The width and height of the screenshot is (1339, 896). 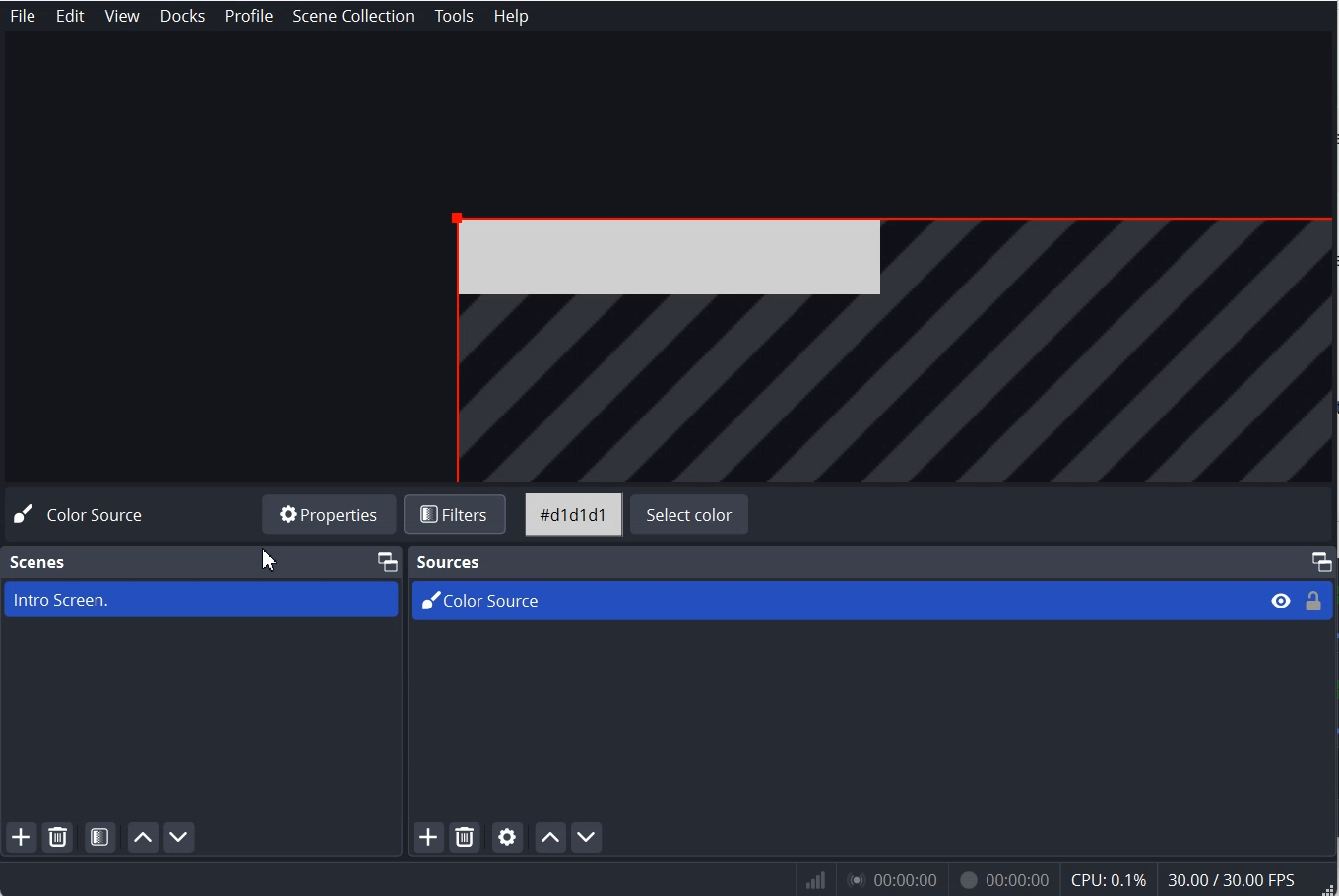 What do you see at coordinates (589, 837) in the screenshot?
I see `Move Source Down` at bounding box center [589, 837].